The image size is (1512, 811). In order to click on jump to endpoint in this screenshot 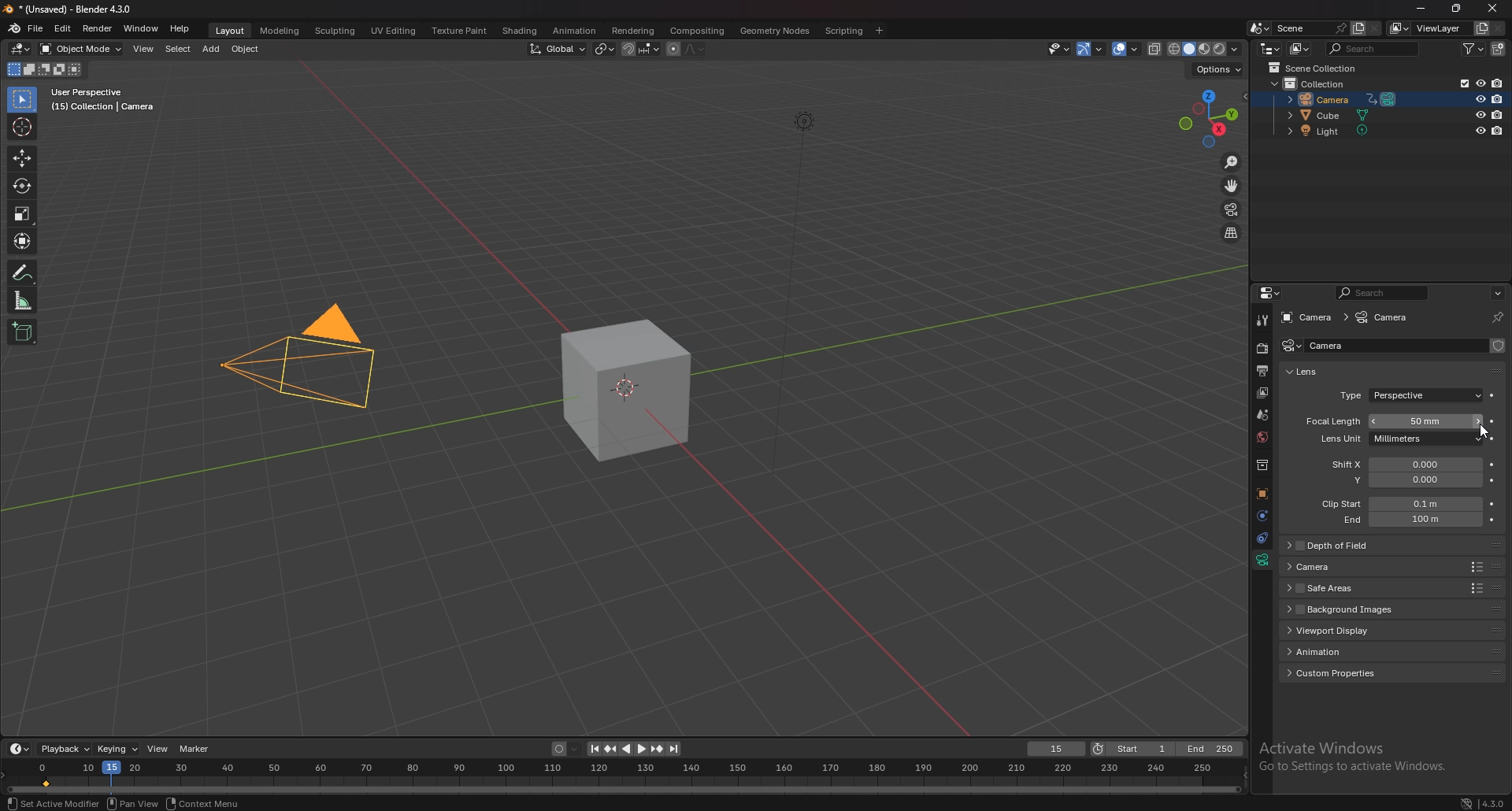, I will do `click(675, 749)`.